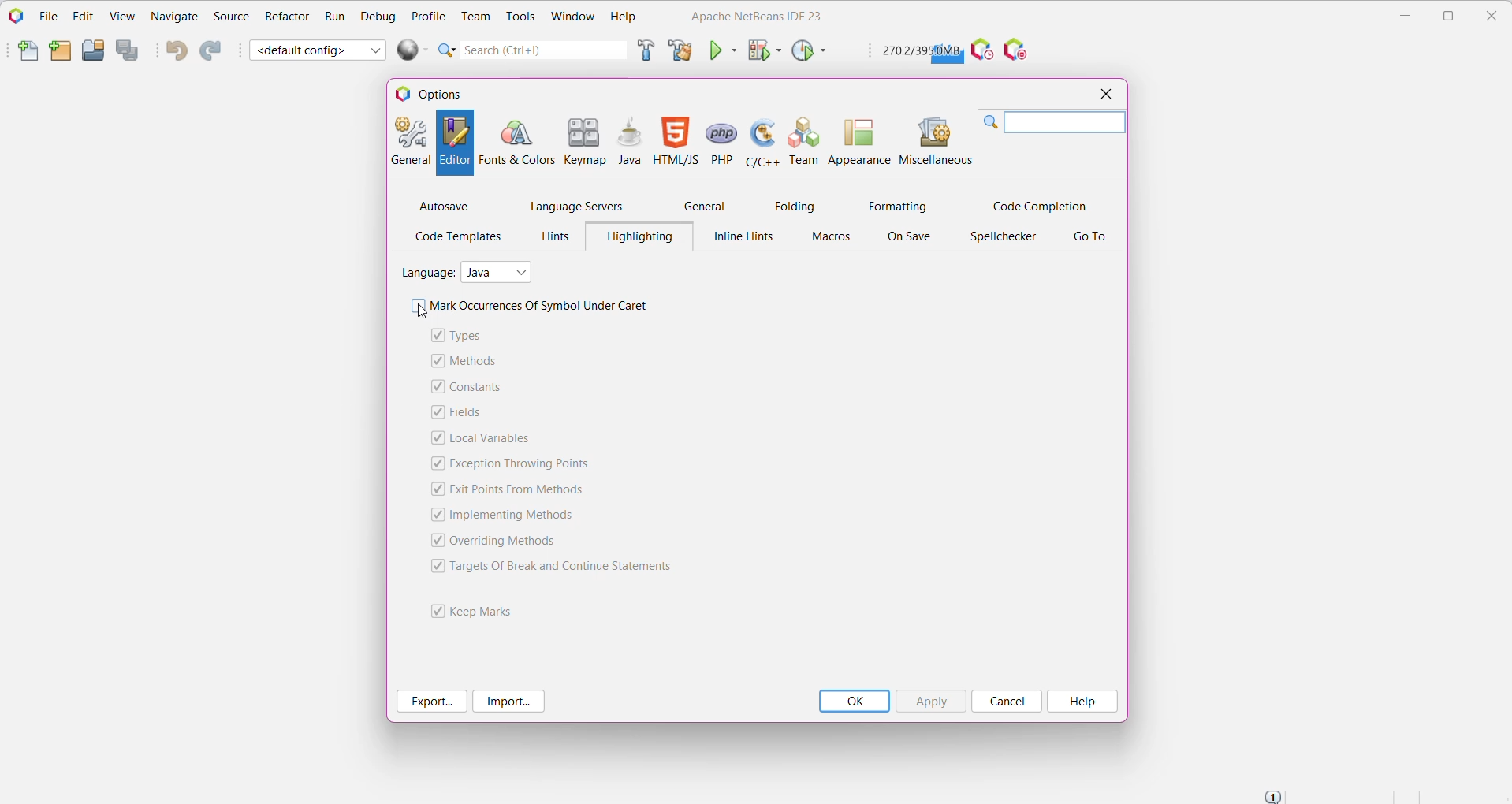 This screenshot has width=1512, height=804. What do you see at coordinates (762, 143) in the screenshot?
I see `C/C++` at bounding box center [762, 143].